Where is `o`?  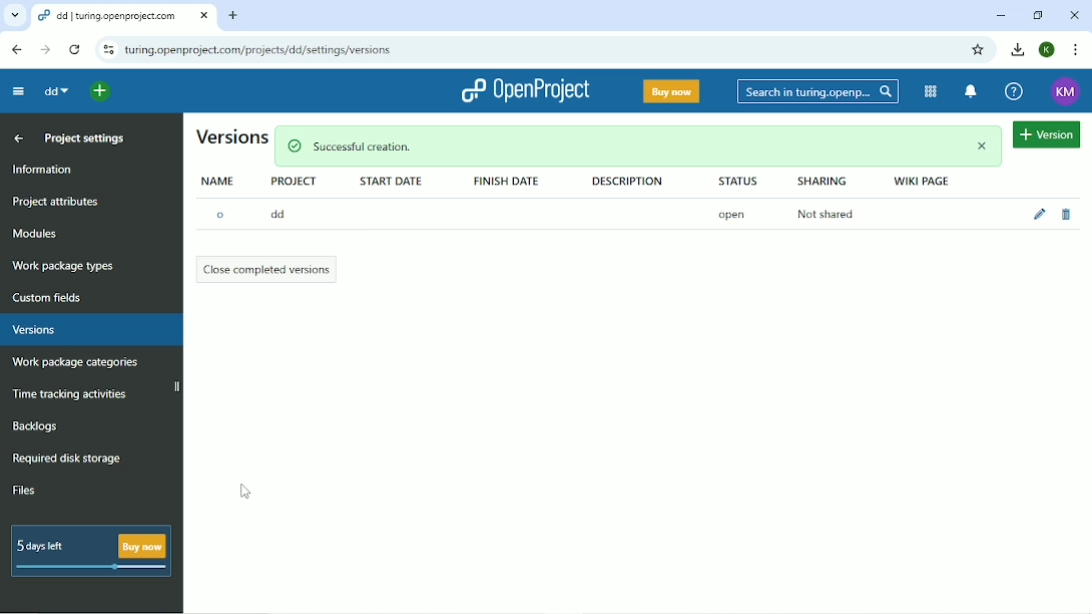
o is located at coordinates (220, 215).